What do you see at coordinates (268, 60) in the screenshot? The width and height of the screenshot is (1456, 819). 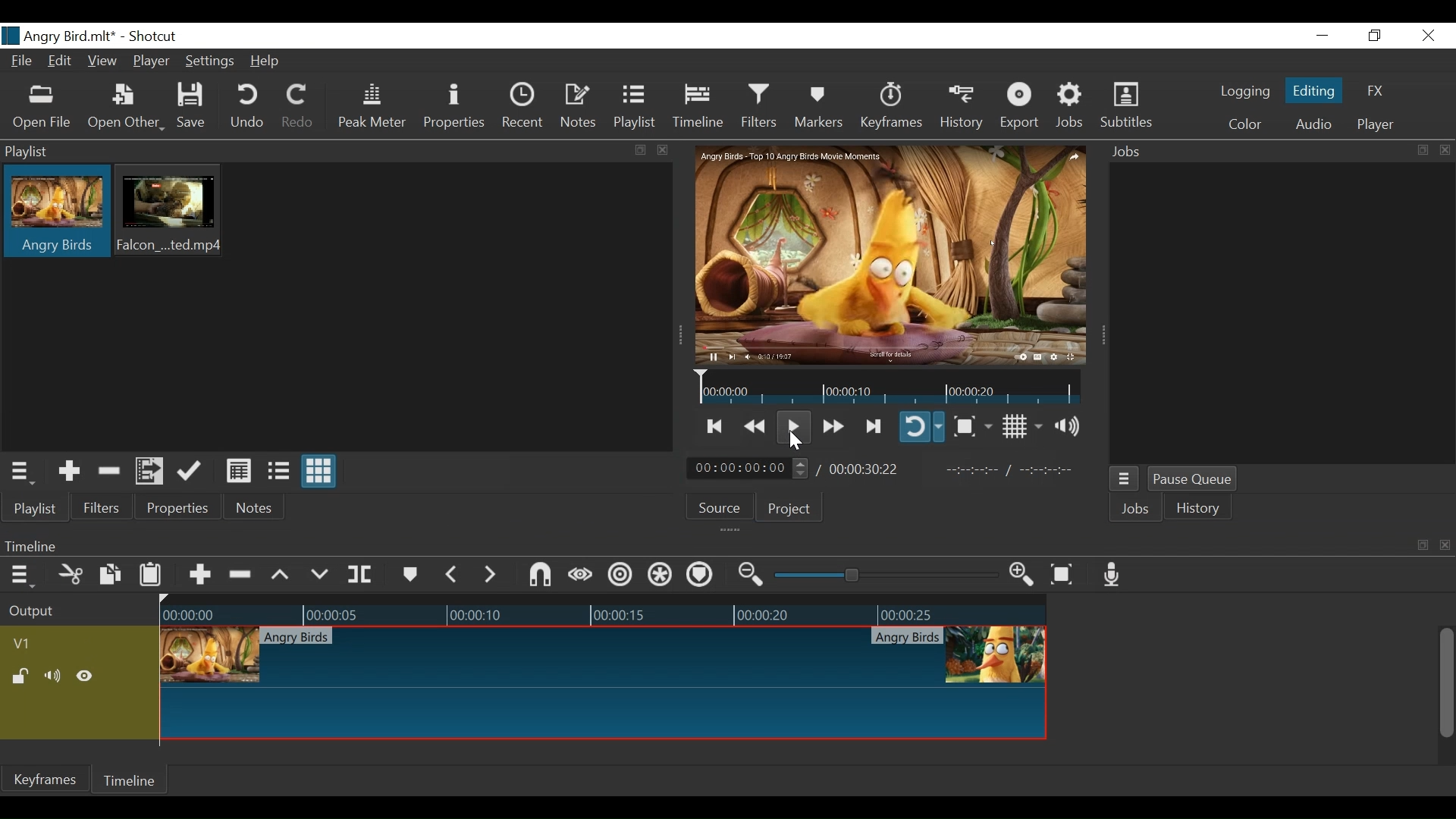 I see `Help` at bounding box center [268, 60].